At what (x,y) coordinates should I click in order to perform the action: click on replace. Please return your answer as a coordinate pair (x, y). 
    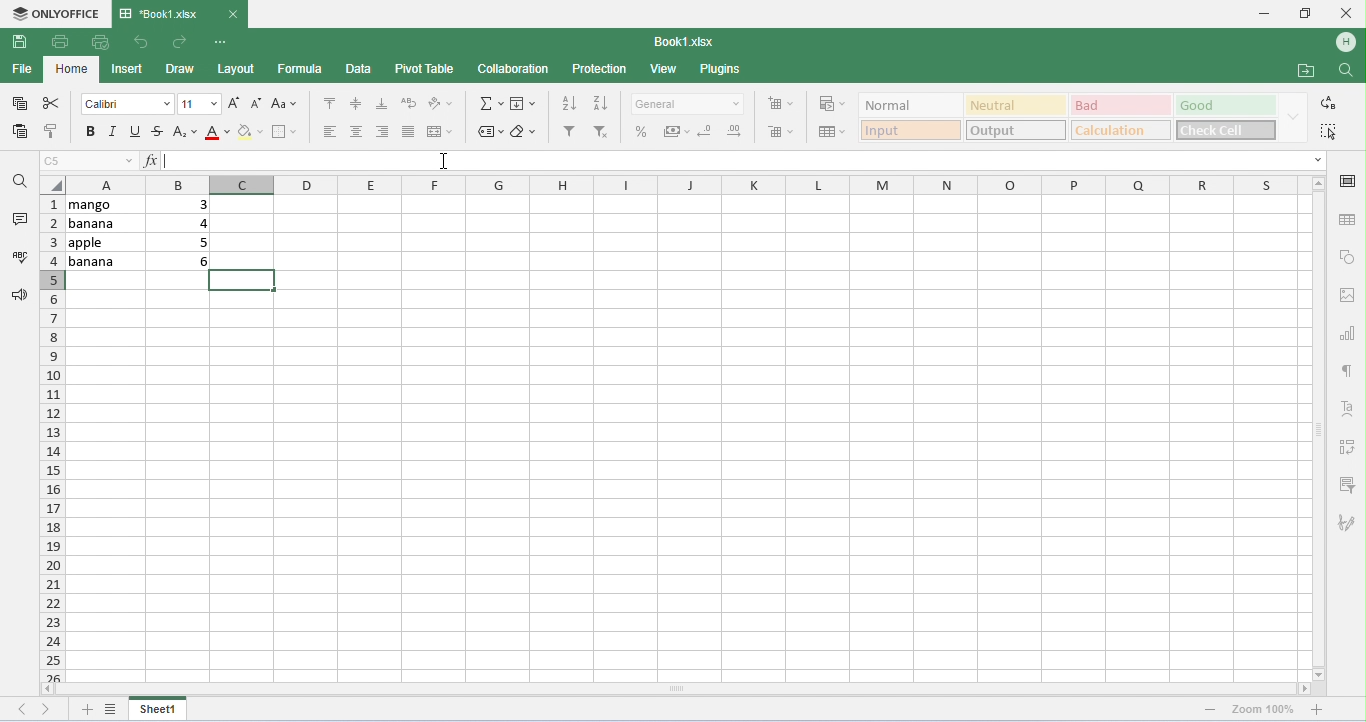
    Looking at the image, I should click on (1326, 103).